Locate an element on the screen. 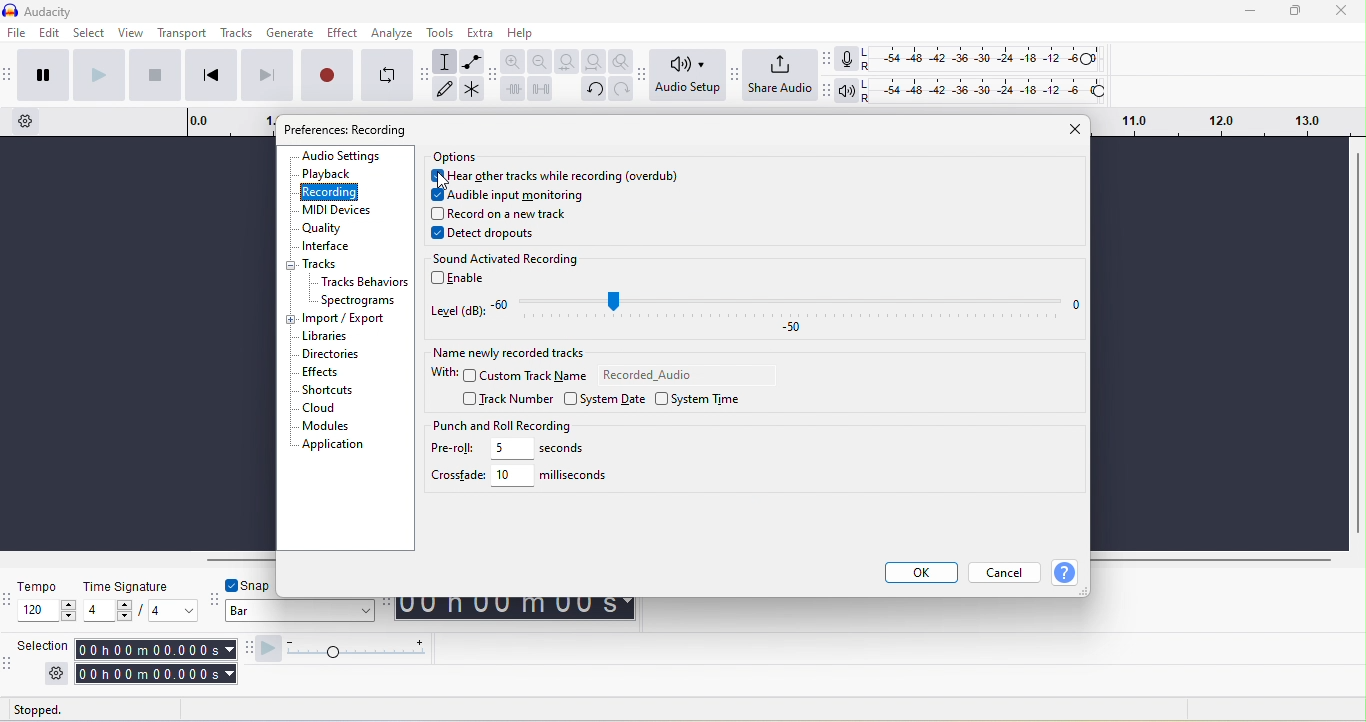 This screenshot has height=722, width=1366. stop is located at coordinates (158, 74).